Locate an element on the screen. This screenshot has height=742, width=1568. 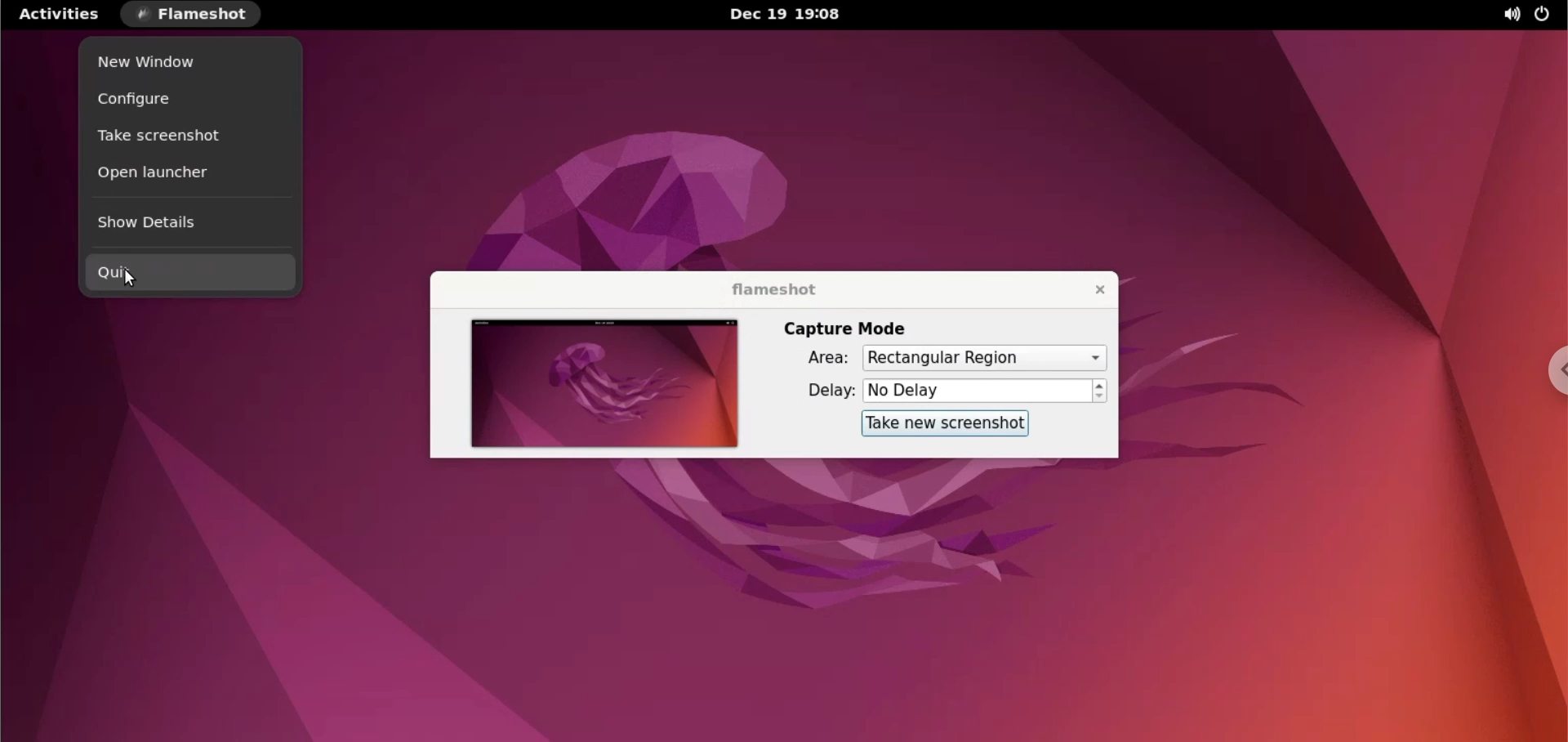
capture mode  is located at coordinates (845, 327).